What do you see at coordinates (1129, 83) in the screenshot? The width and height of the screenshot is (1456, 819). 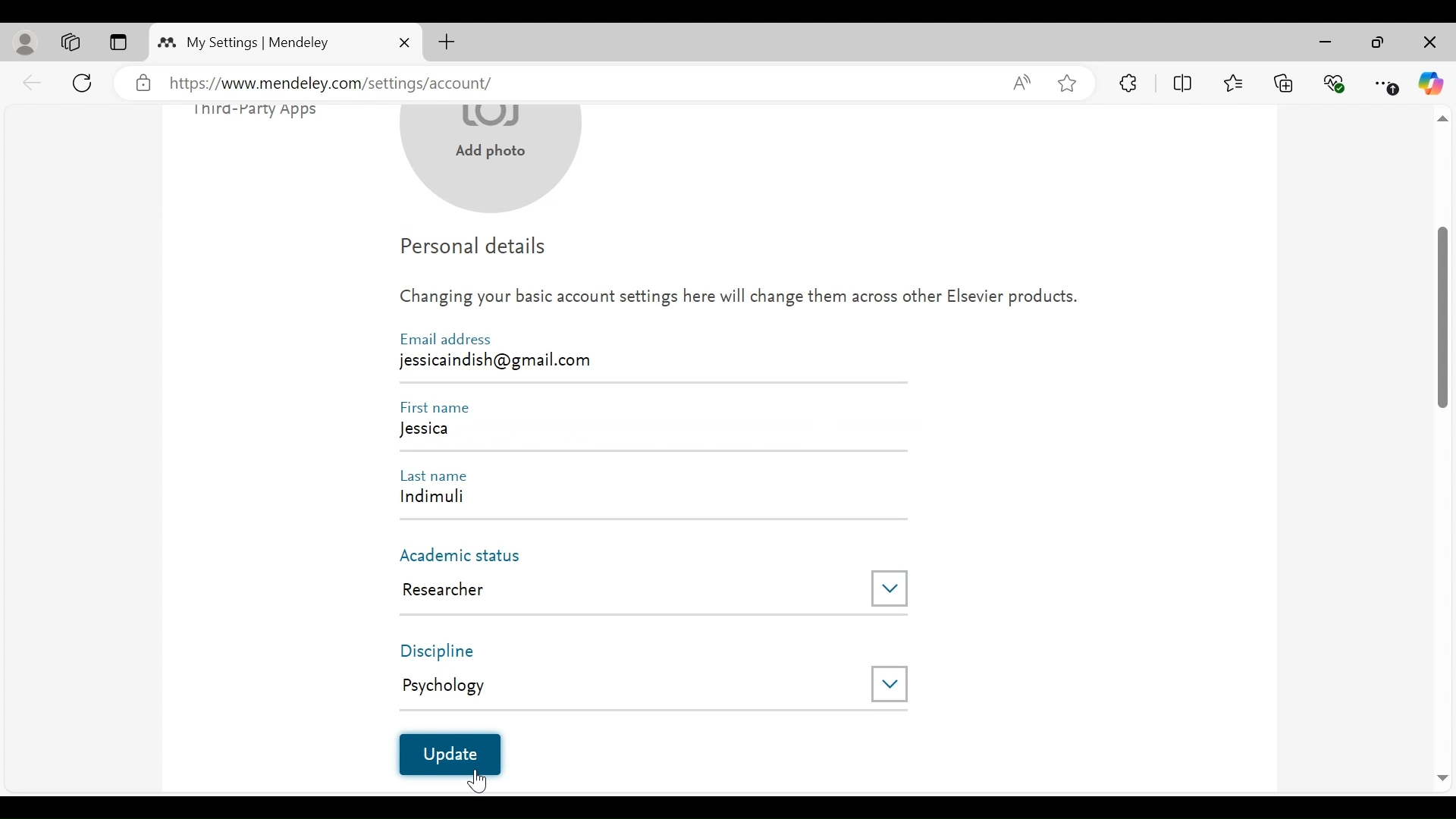 I see `Extensions` at bounding box center [1129, 83].